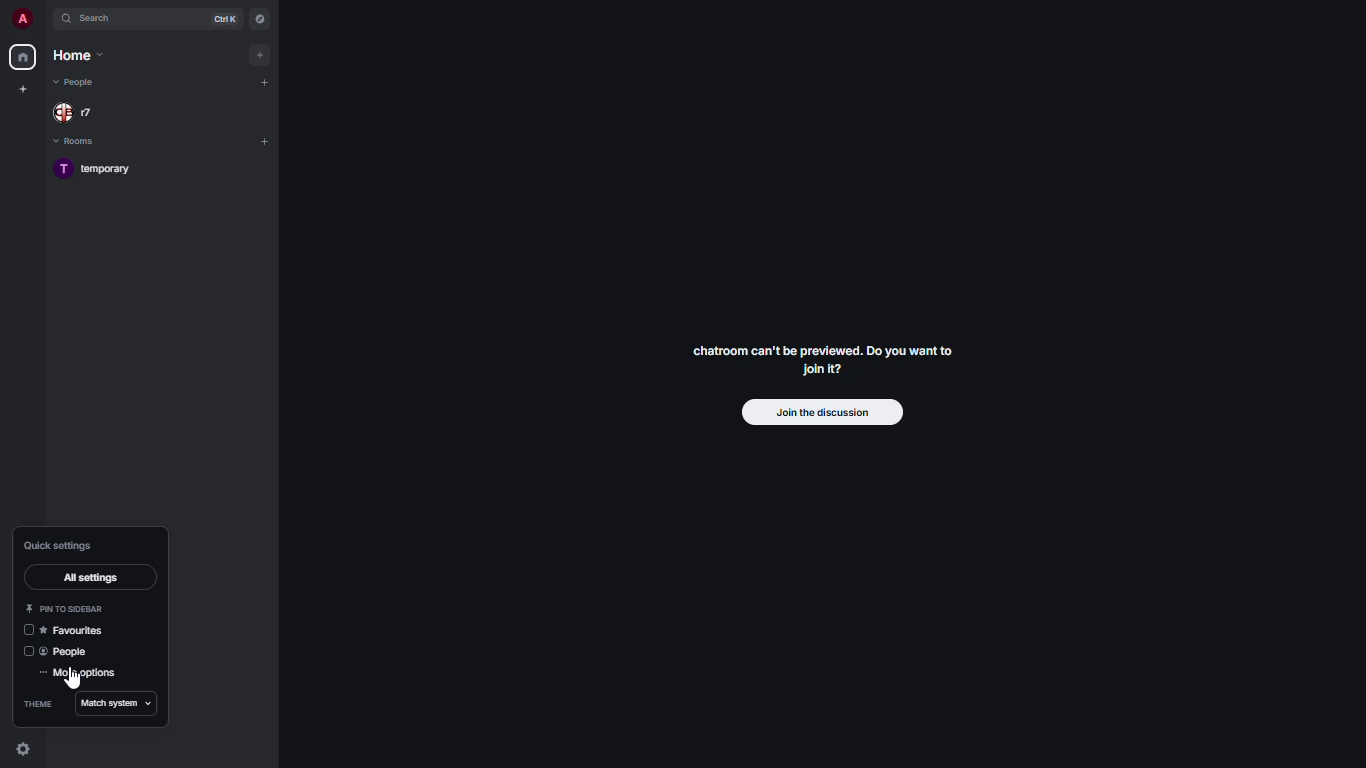  Describe the element at coordinates (821, 362) in the screenshot. I see `chatroom can't be previewed` at that location.